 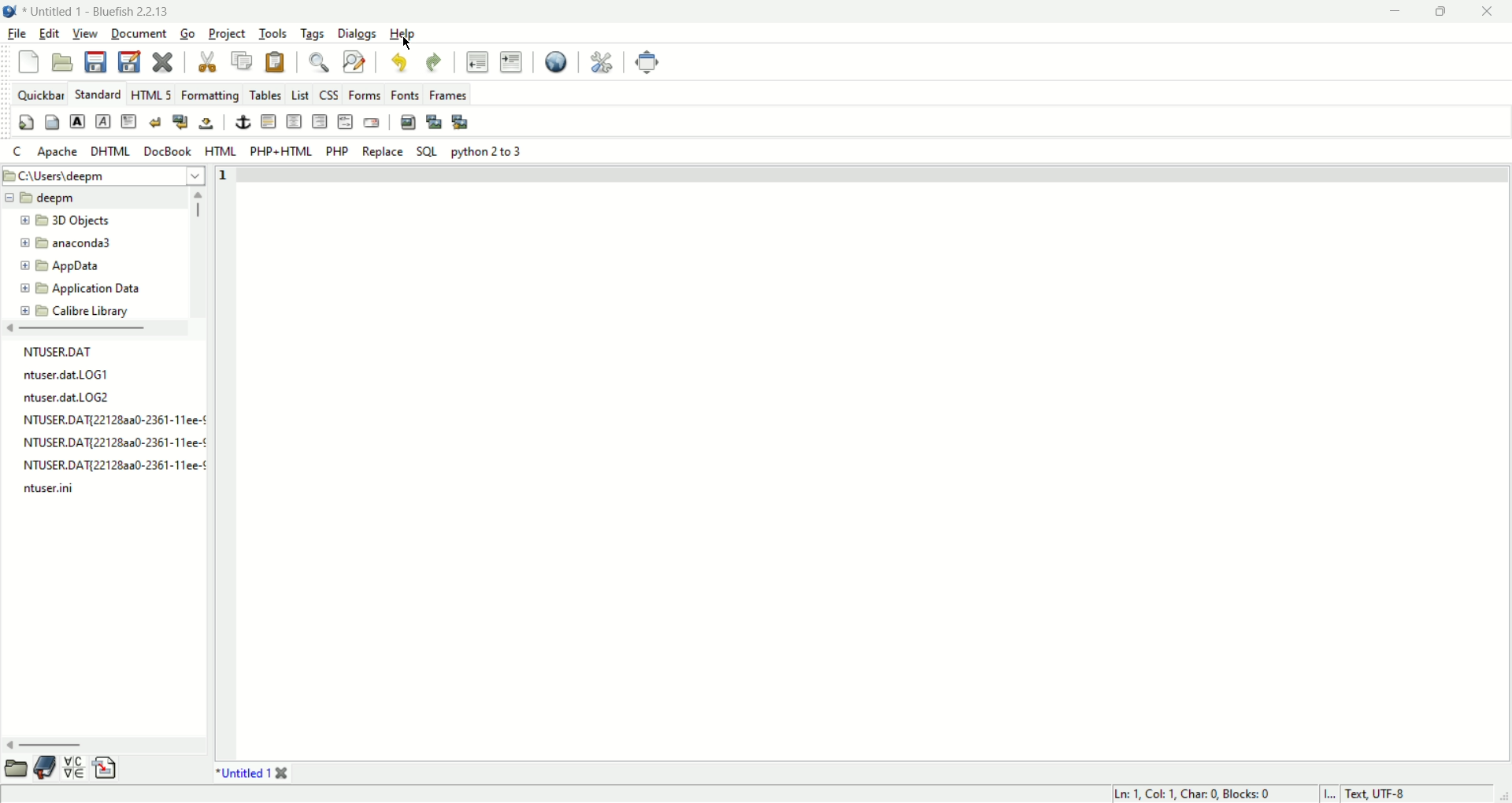 What do you see at coordinates (40, 92) in the screenshot?
I see `quickbar` at bounding box center [40, 92].